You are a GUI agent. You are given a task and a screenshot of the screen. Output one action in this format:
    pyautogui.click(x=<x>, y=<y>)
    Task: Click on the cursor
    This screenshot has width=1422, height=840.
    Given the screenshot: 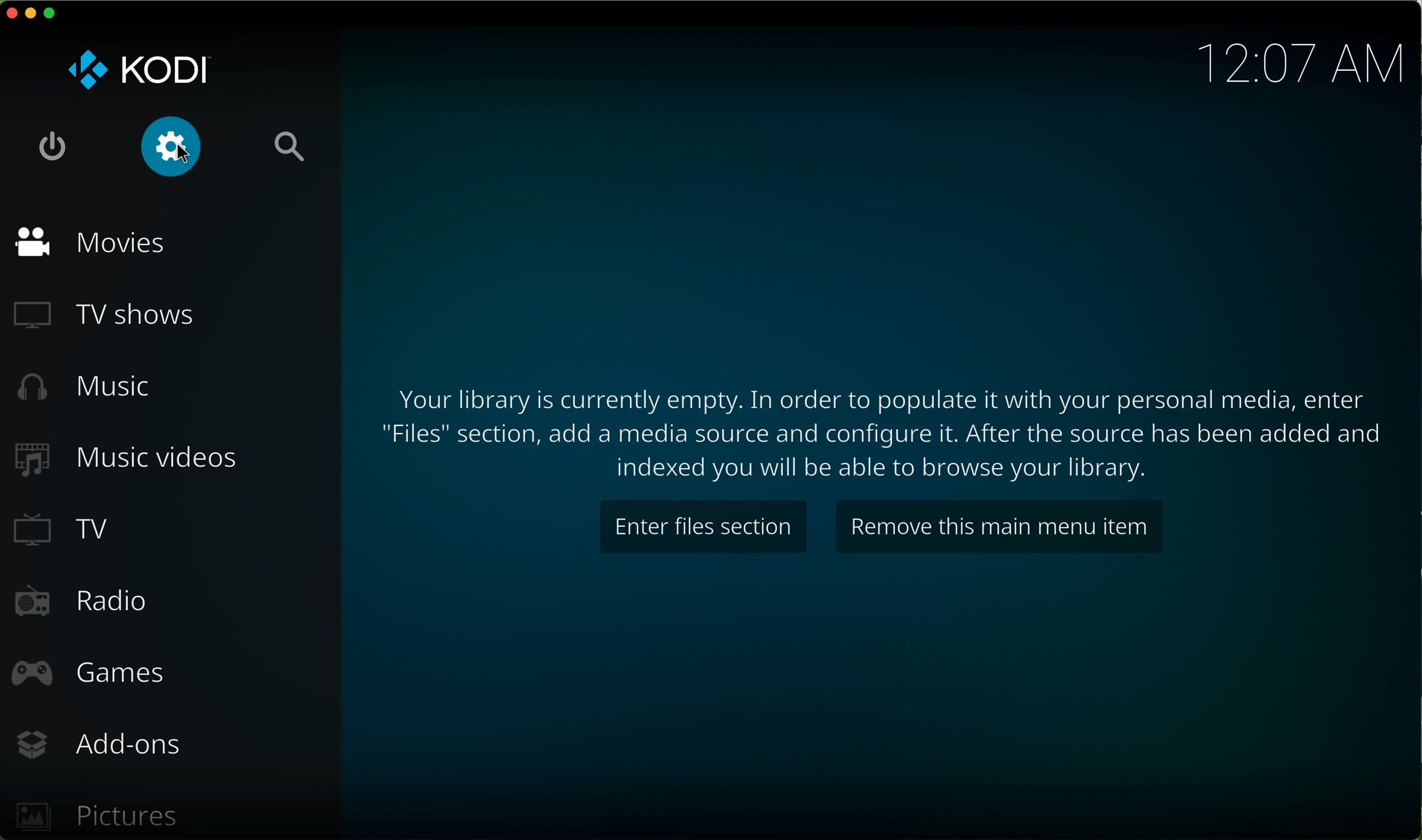 What is the action you would take?
    pyautogui.click(x=184, y=153)
    